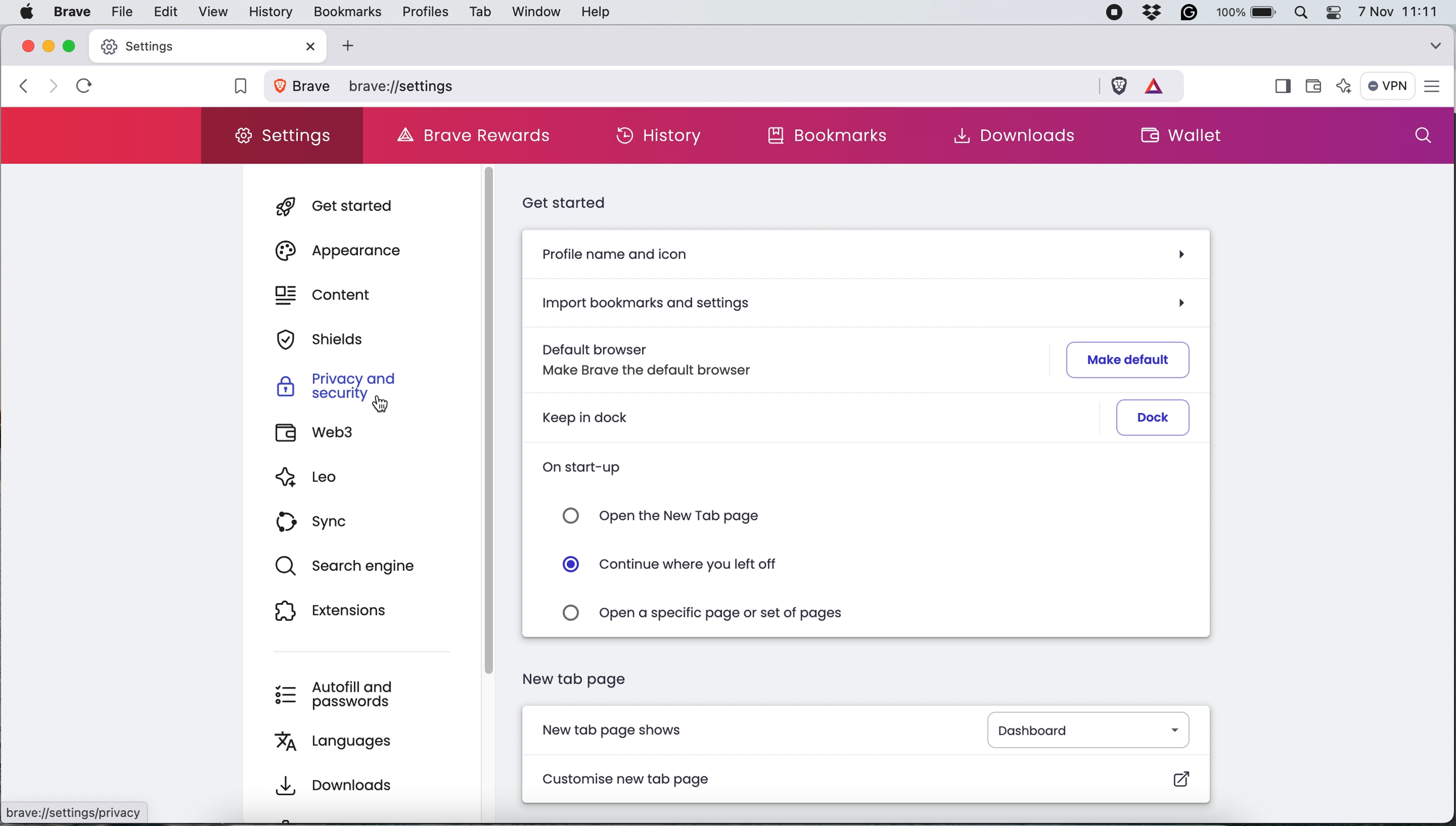 This screenshot has height=826, width=1456. I want to click on battery, so click(1249, 12).